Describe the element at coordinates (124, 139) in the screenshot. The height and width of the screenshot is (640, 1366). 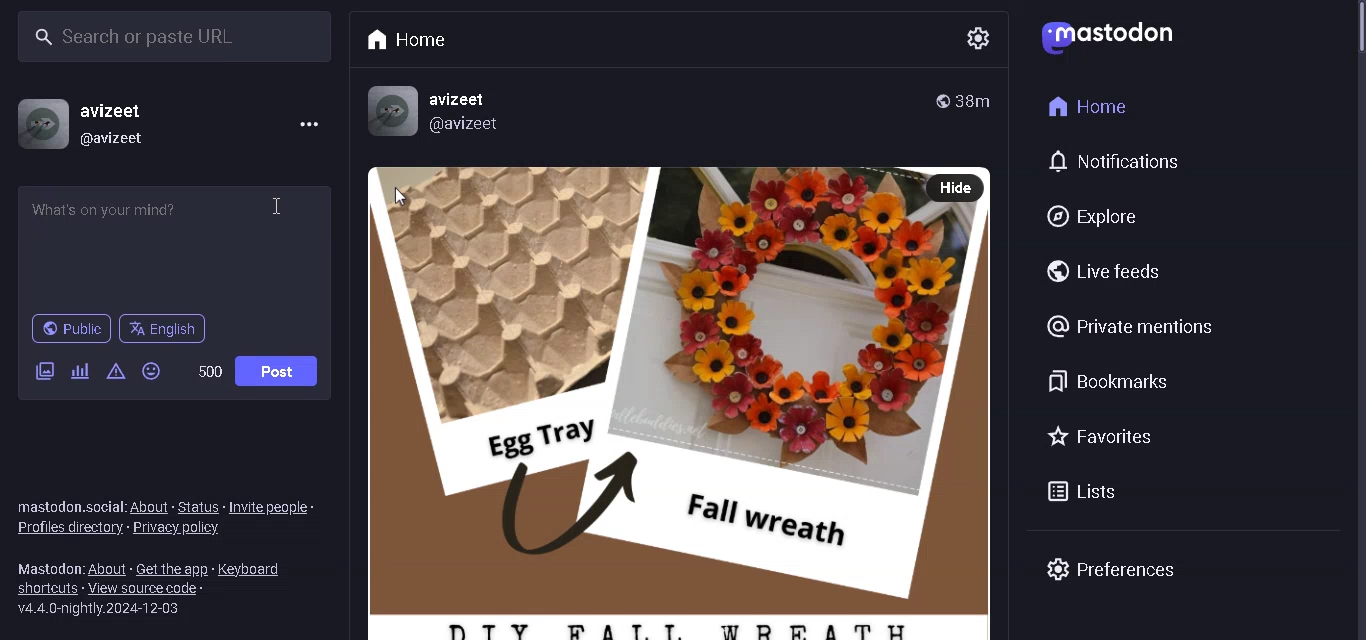
I see `@username` at that location.